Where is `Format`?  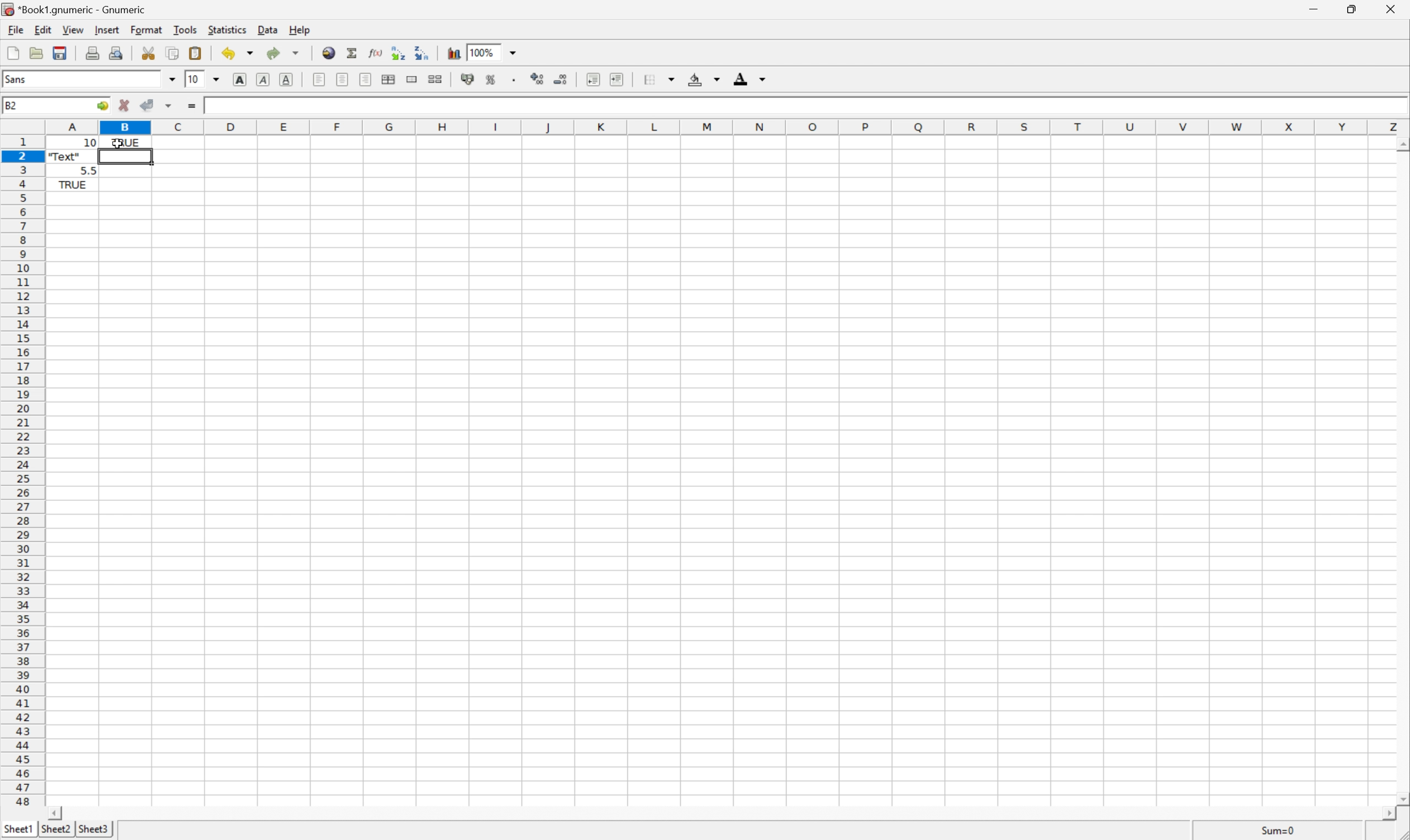
Format is located at coordinates (147, 29).